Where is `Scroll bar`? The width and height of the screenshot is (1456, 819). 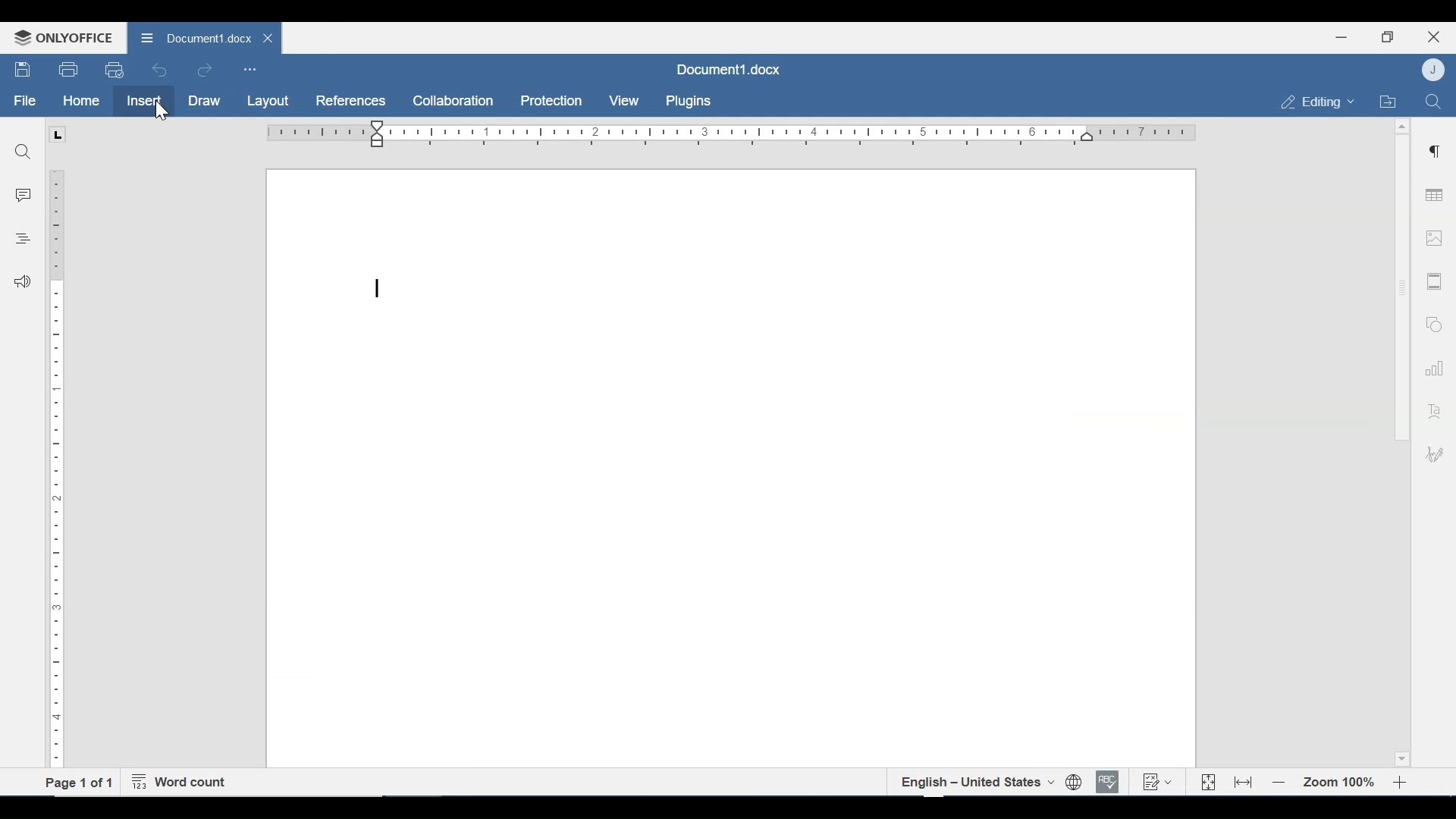
Scroll bar is located at coordinates (1401, 287).